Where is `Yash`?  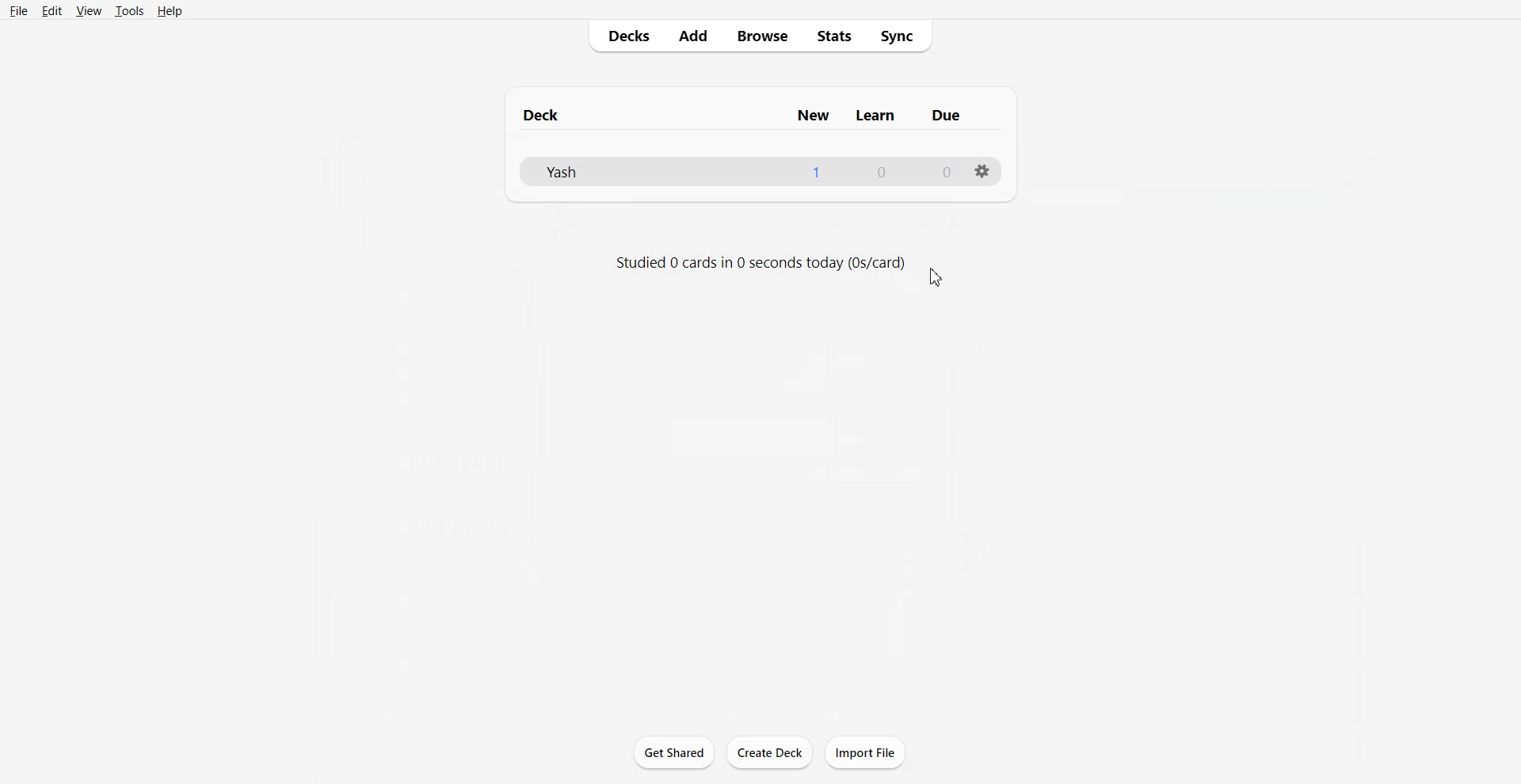 Yash is located at coordinates (562, 171).